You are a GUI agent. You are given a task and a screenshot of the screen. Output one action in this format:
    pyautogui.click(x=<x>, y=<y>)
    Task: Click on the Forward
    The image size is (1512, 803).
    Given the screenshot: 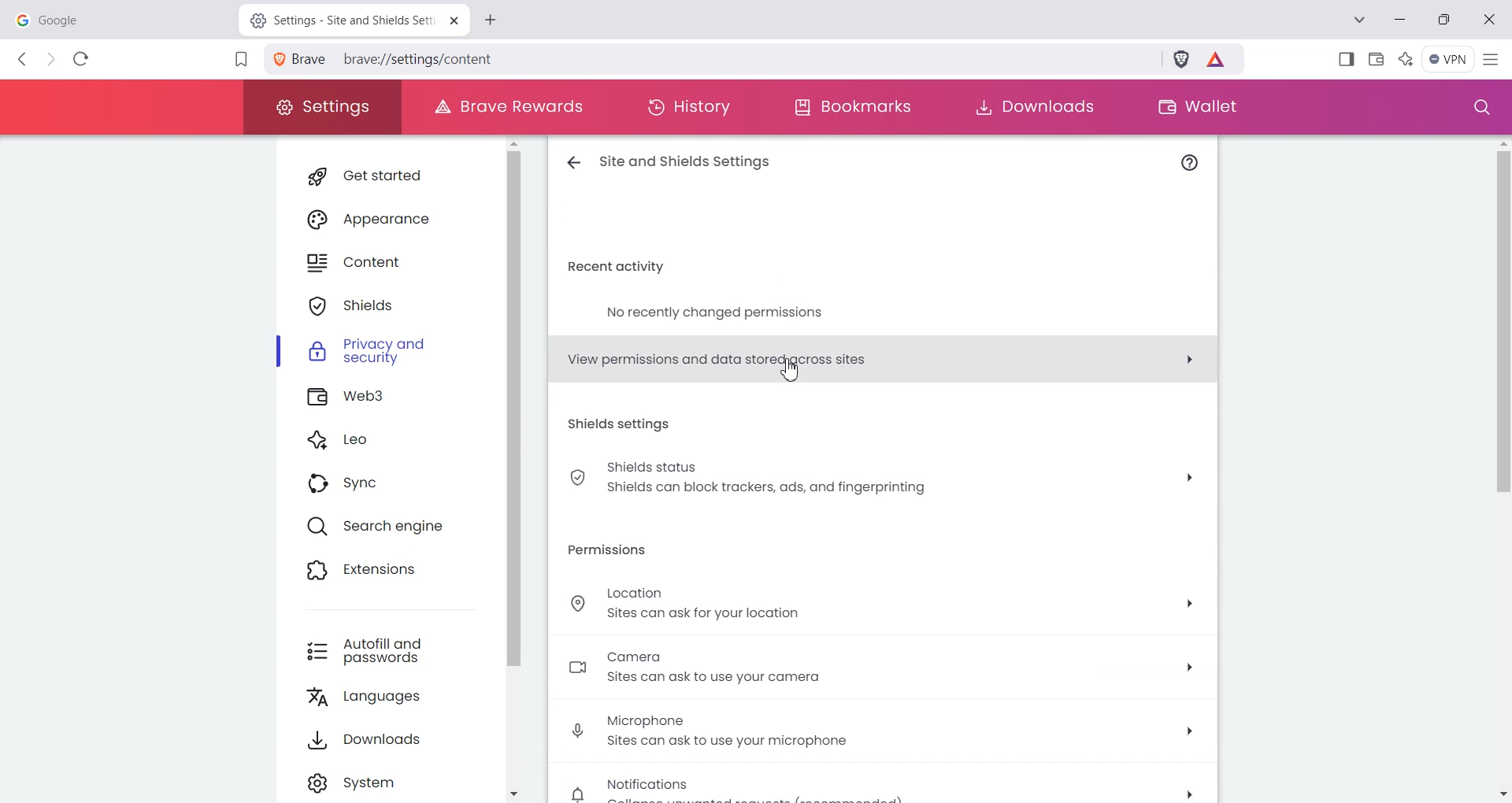 What is the action you would take?
    pyautogui.click(x=50, y=60)
    